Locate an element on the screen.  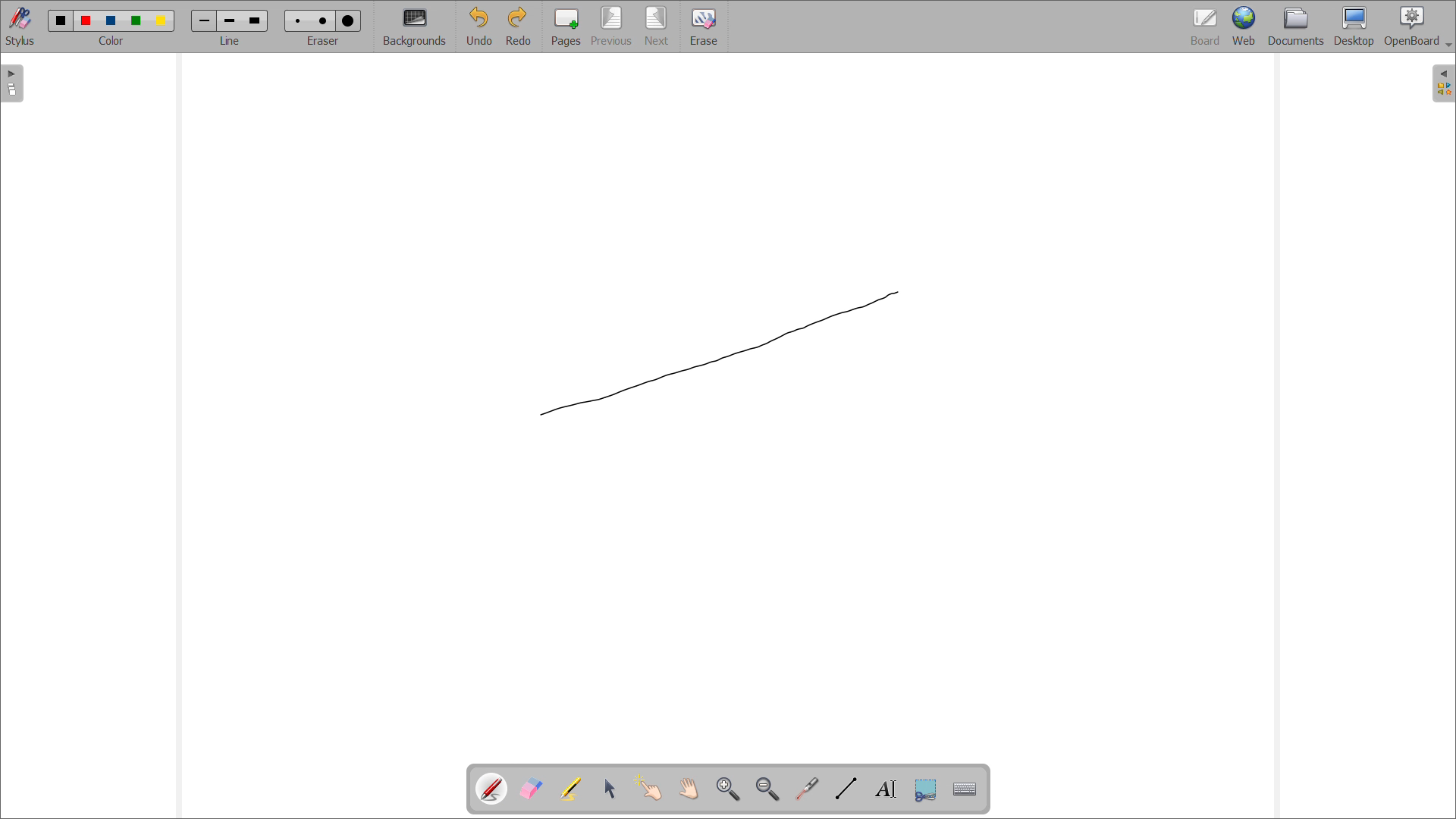
color is located at coordinates (161, 21).